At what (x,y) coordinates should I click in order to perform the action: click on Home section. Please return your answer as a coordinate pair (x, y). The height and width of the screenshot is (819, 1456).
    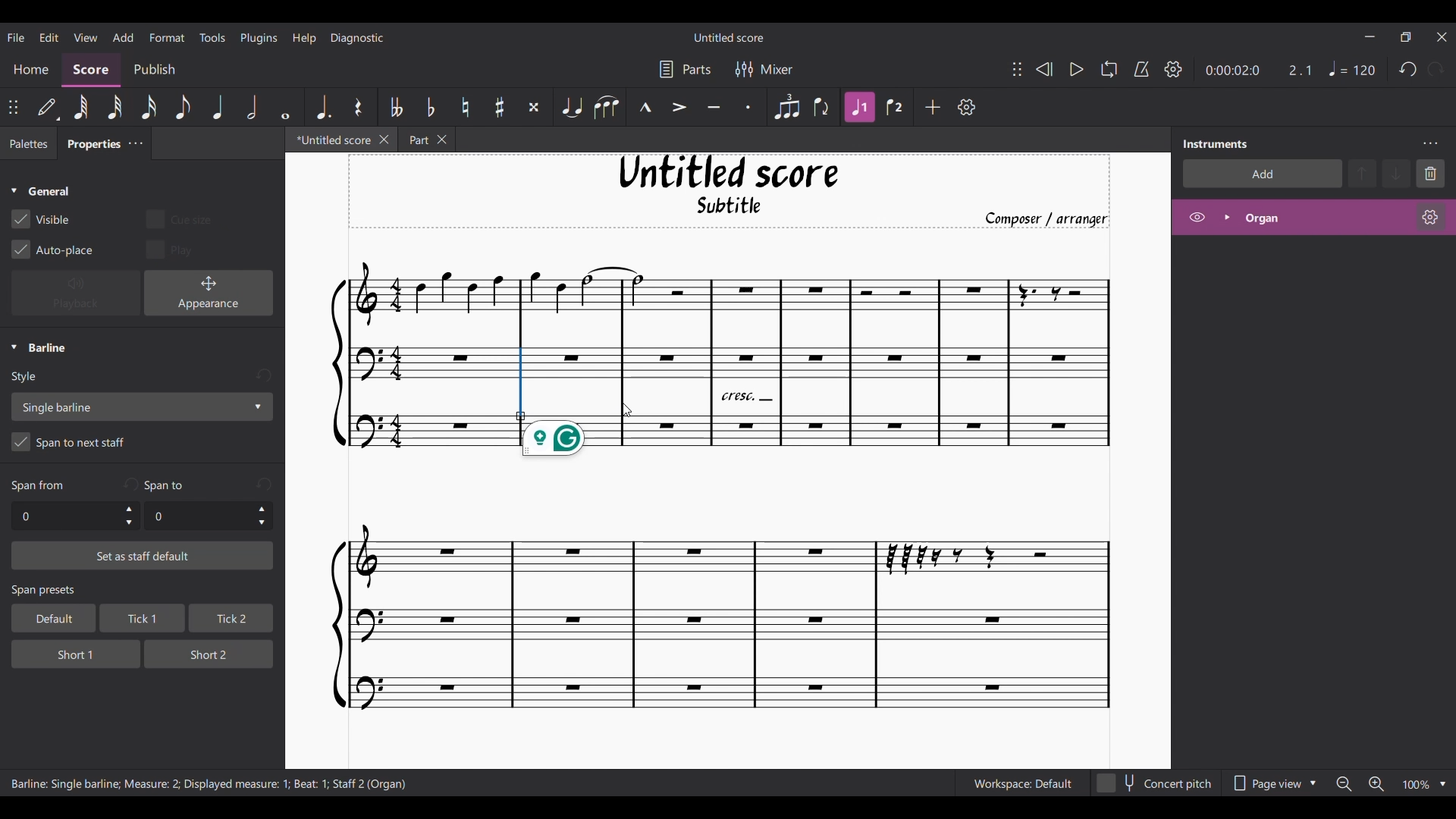
    Looking at the image, I should click on (32, 69).